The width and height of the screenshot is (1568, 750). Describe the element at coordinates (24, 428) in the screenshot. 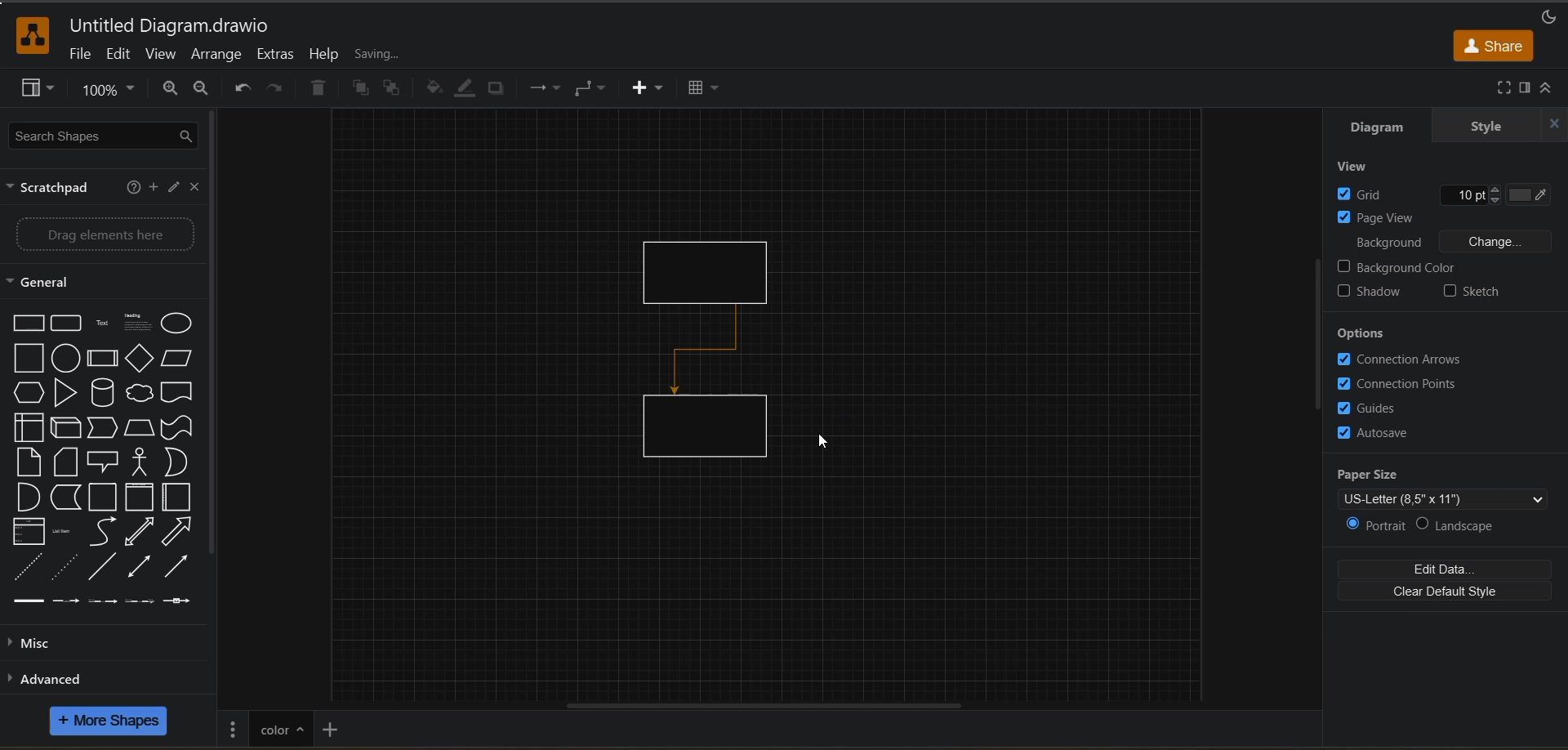

I see `Internal storge` at that location.